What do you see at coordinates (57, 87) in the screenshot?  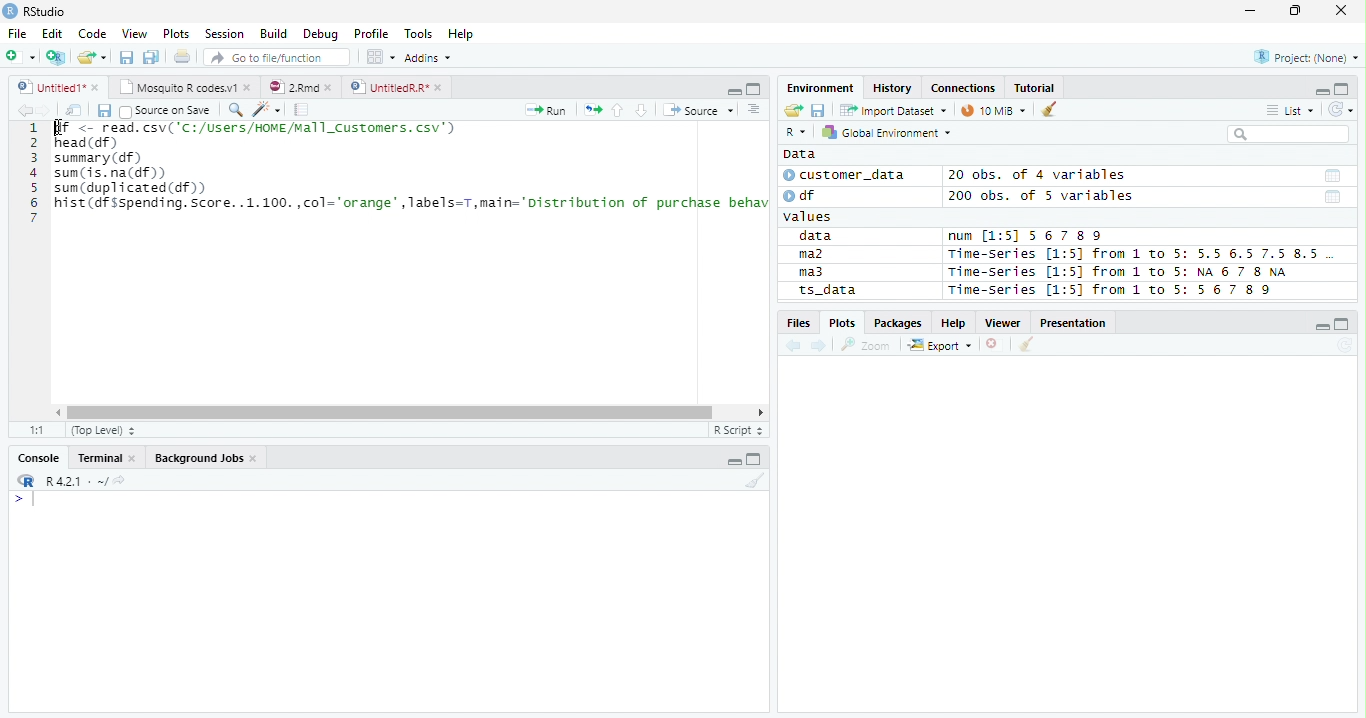 I see `Untitiled1` at bounding box center [57, 87].